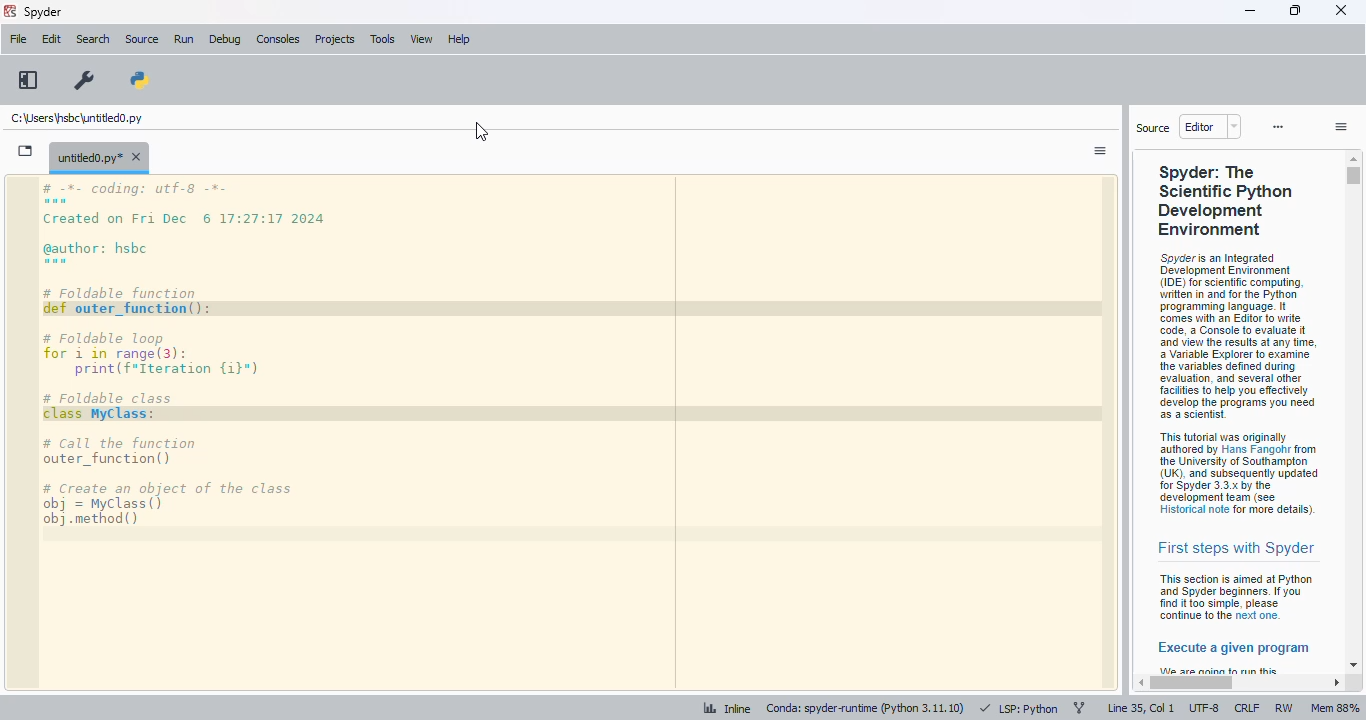 The height and width of the screenshot is (720, 1366). Describe the element at coordinates (76, 118) in the screenshot. I see `untitled0.py` at that location.